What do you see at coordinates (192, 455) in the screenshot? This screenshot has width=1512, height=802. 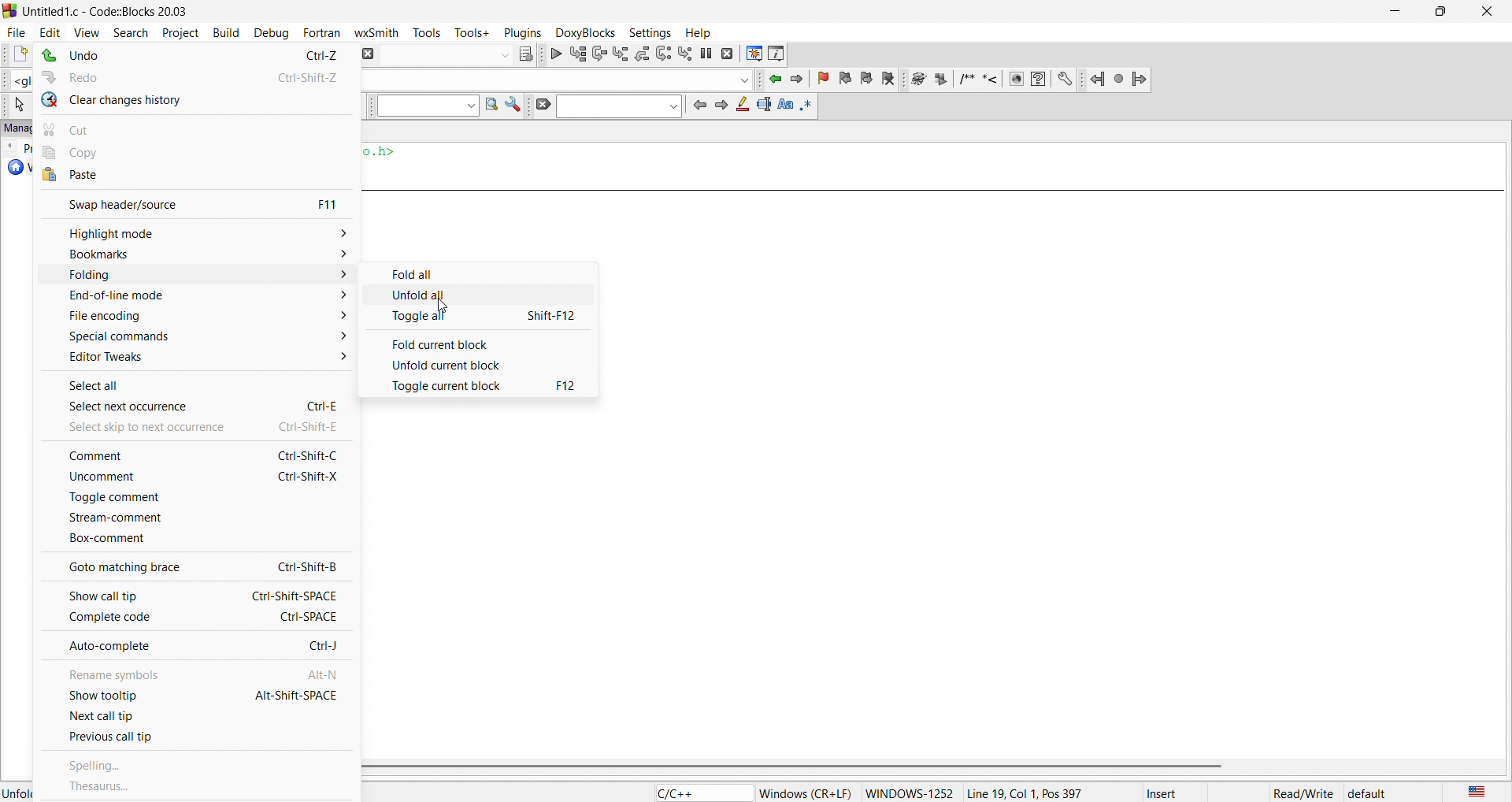 I see `comment` at bounding box center [192, 455].